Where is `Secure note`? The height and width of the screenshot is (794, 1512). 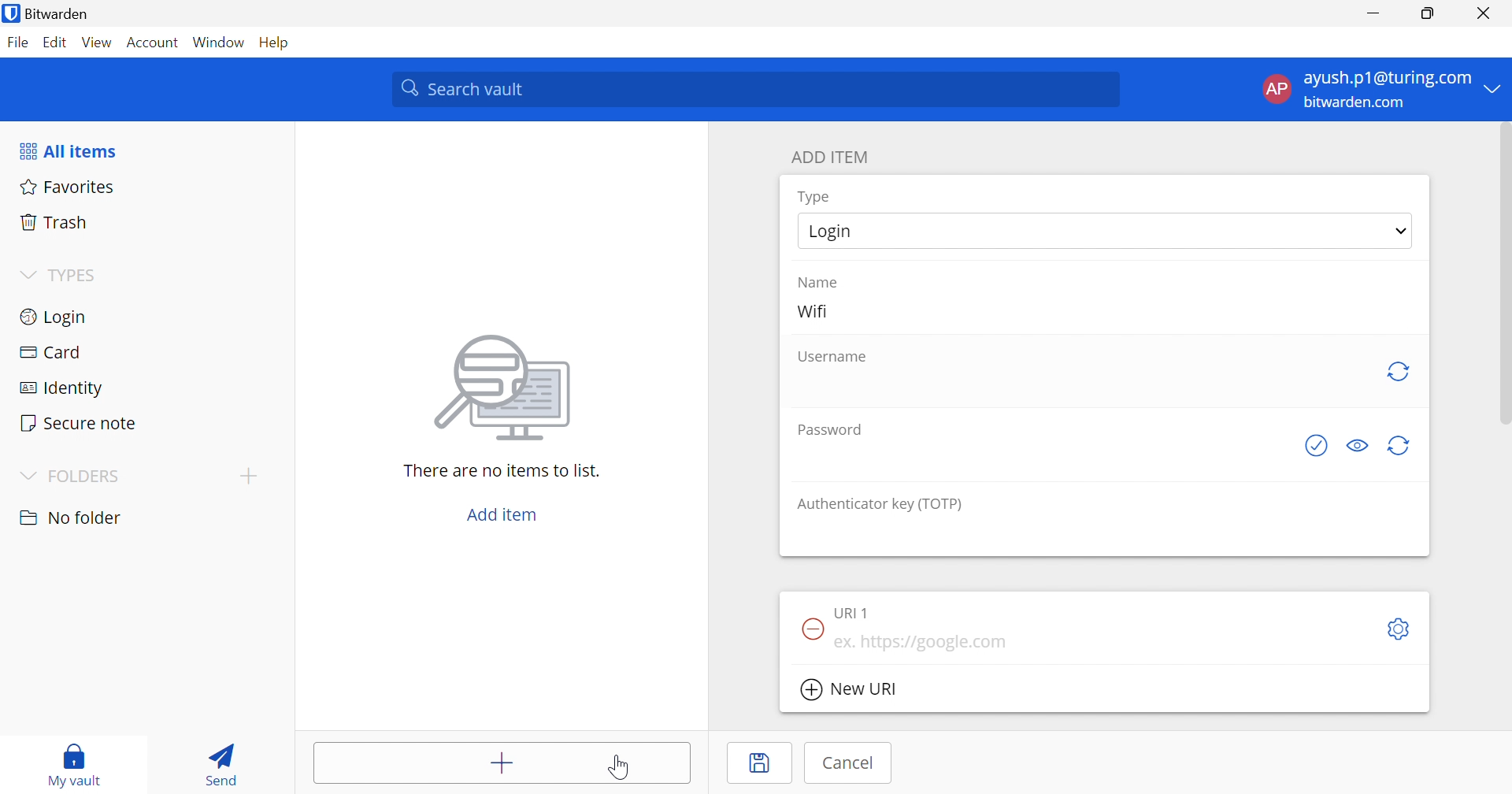 Secure note is located at coordinates (77, 425).